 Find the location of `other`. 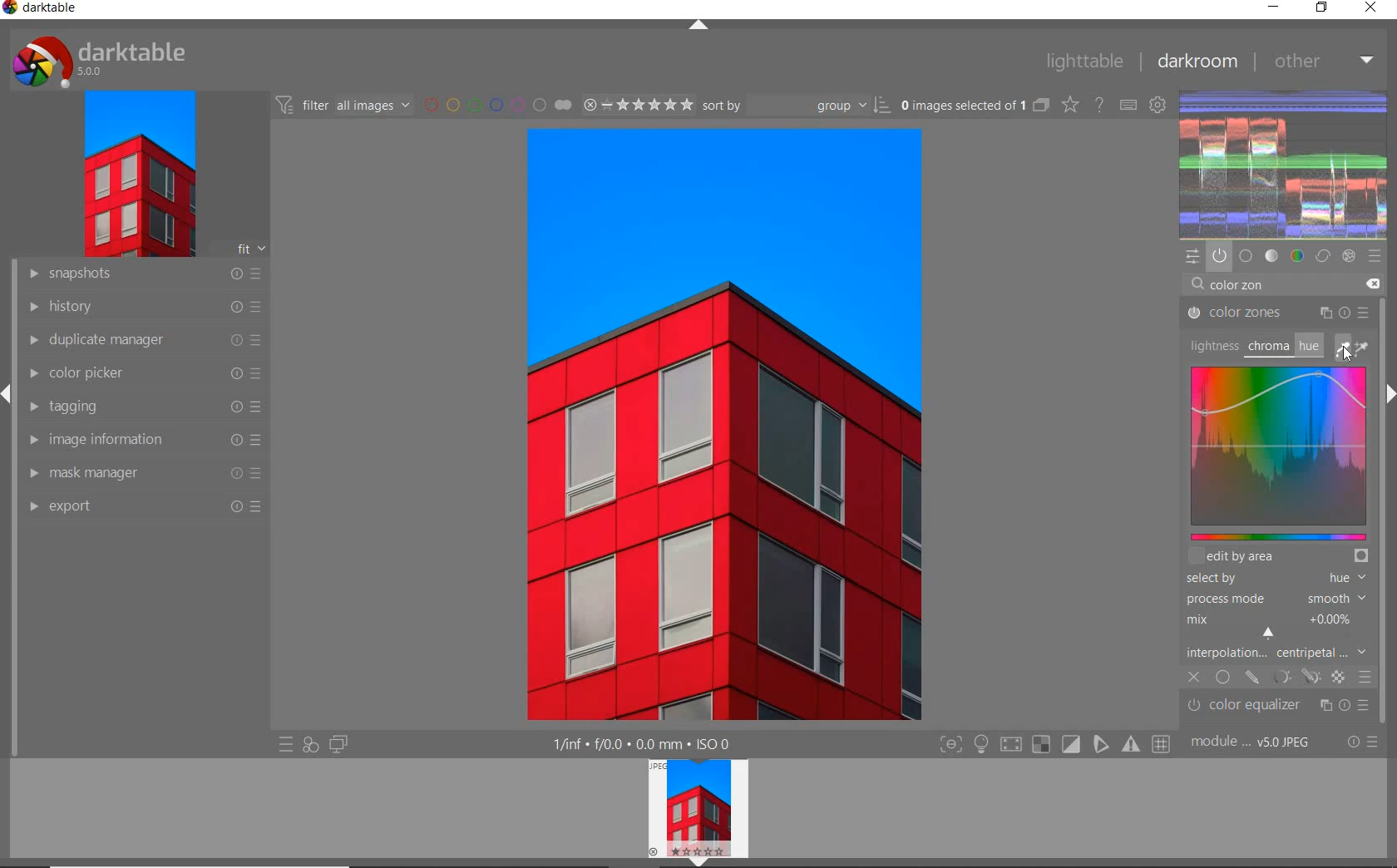

other is located at coordinates (1324, 60).